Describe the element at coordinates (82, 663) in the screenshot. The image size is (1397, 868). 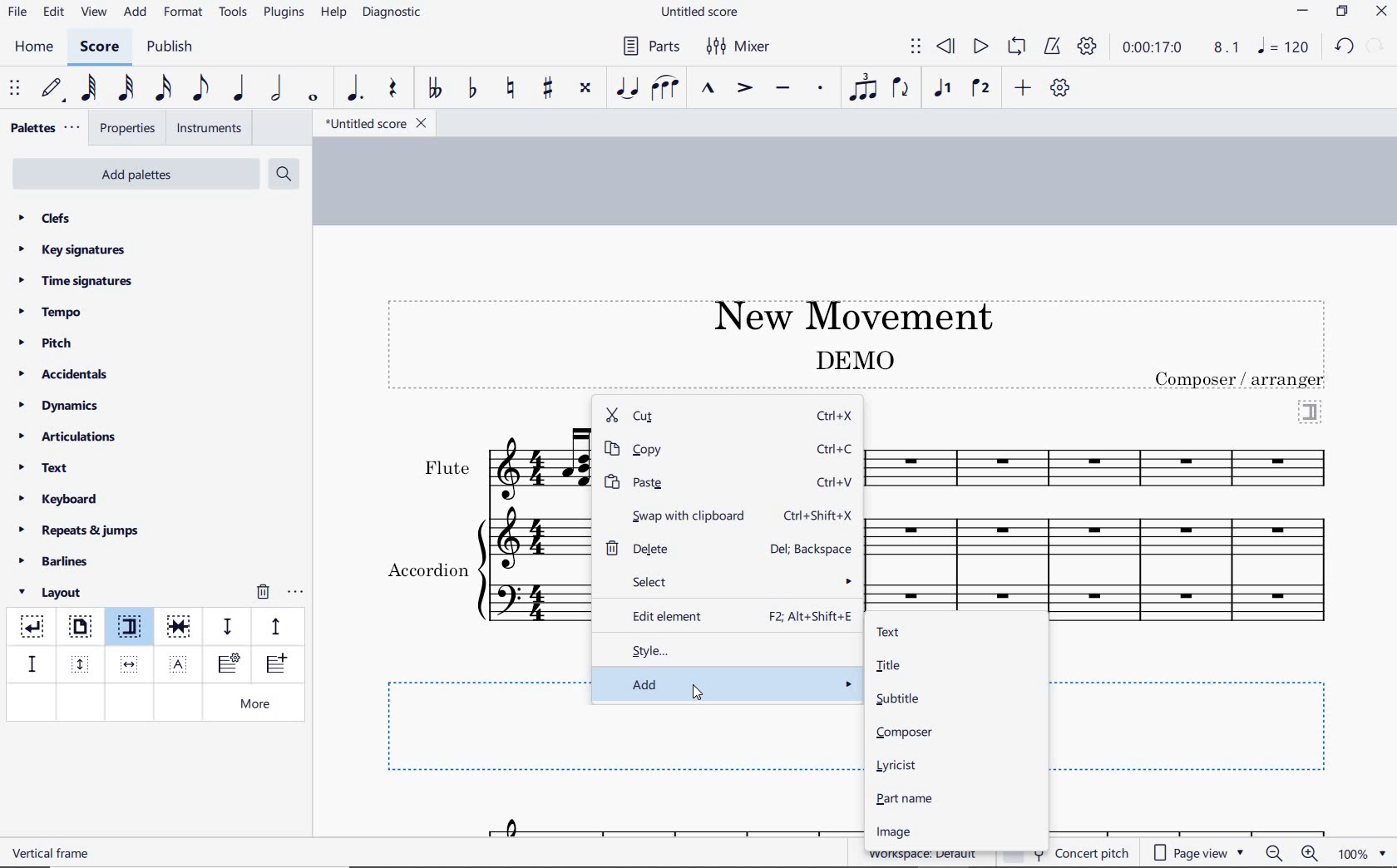
I see `insert vertical frame` at that location.